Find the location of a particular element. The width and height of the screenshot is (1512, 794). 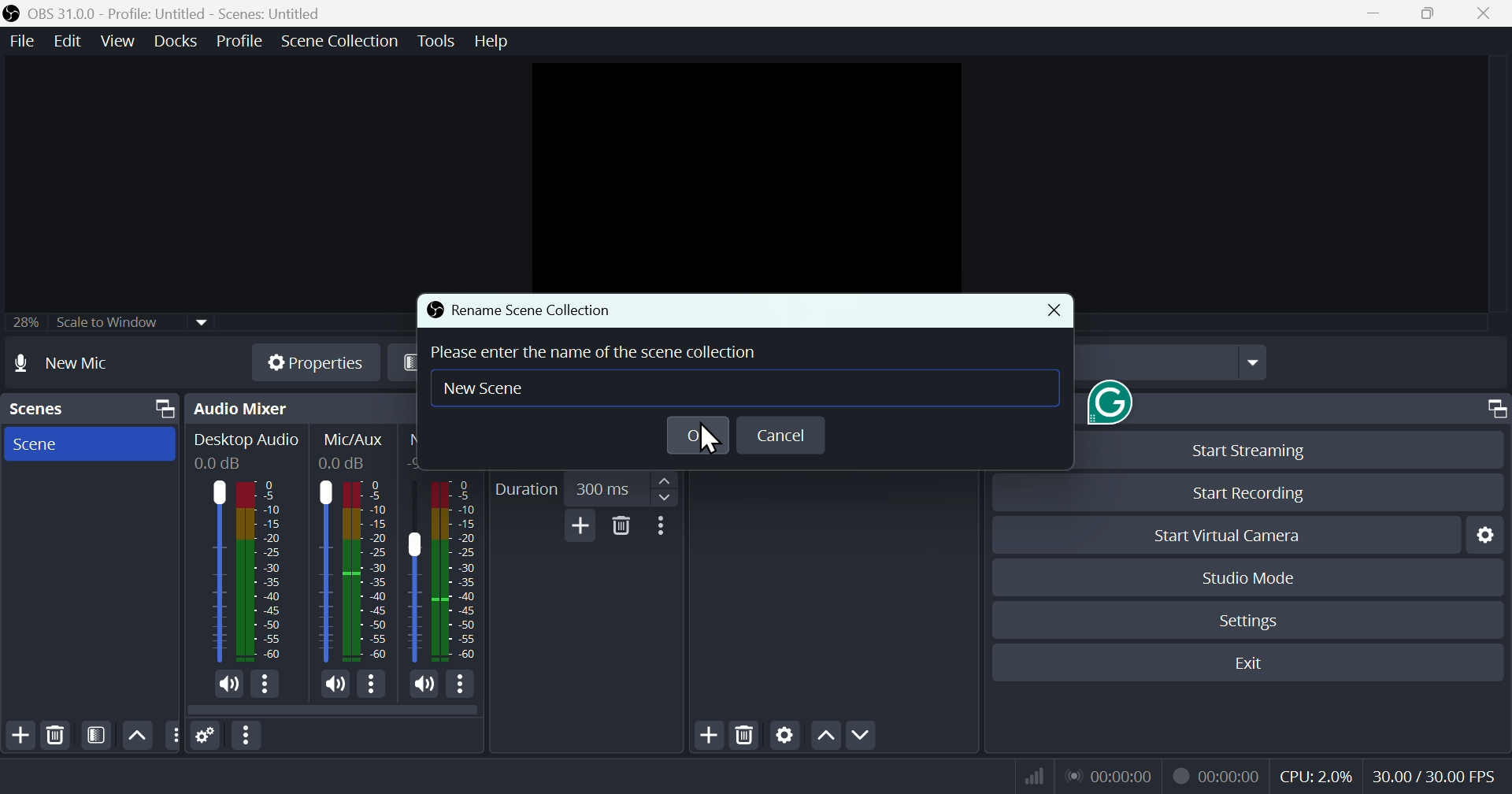

Start recording is located at coordinates (1256, 491).